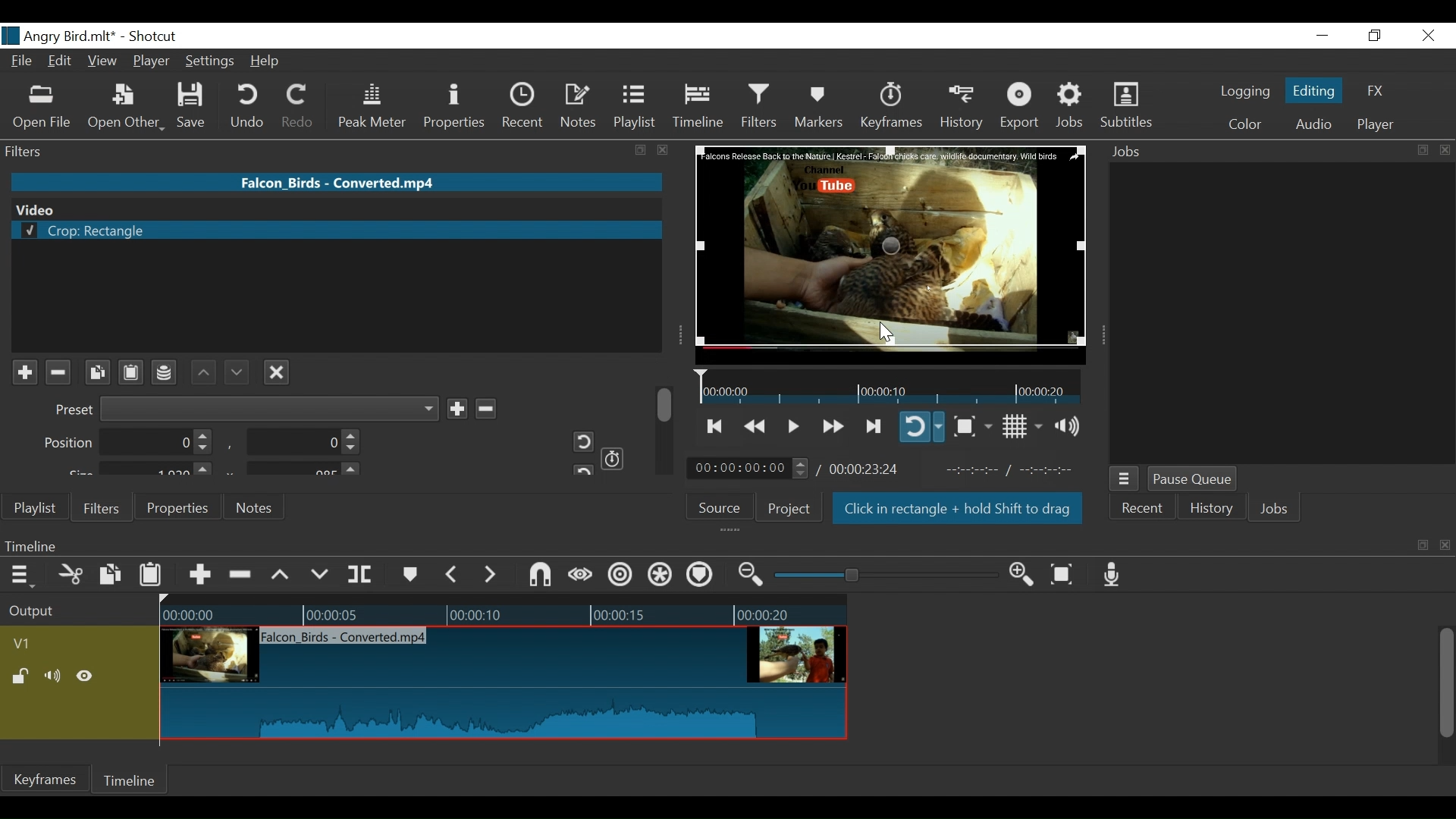 The width and height of the screenshot is (1456, 819). What do you see at coordinates (299, 106) in the screenshot?
I see `Redo` at bounding box center [299, 106].